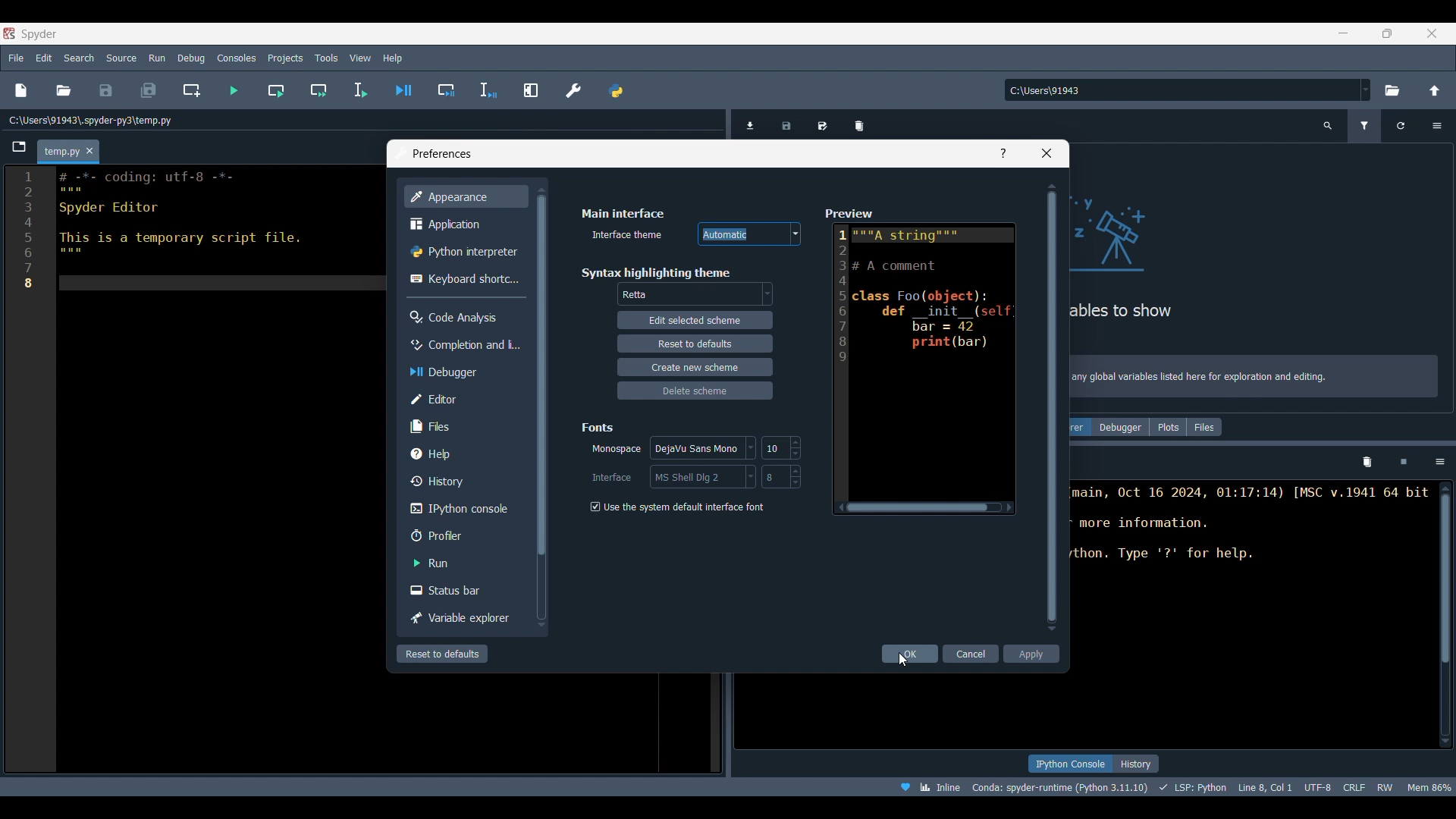 Image resolution: width=1456 pixels, height=819 pixels. What do you see at coordinates (404, 90) in the screenshot?
I see `Debug file` at bounding box center [404, 90].